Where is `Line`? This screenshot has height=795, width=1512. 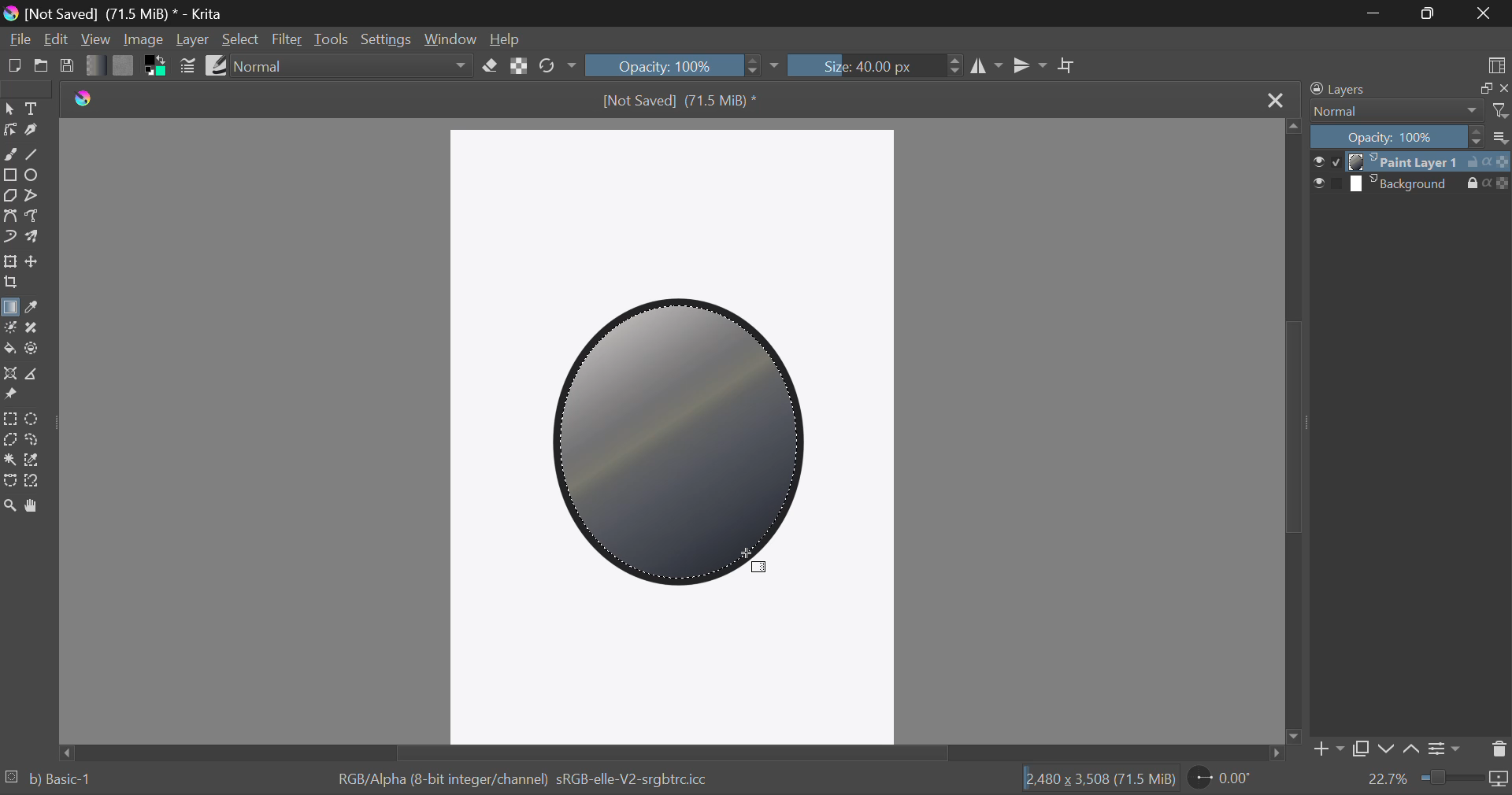
Line is located at coordinates (34, 155).